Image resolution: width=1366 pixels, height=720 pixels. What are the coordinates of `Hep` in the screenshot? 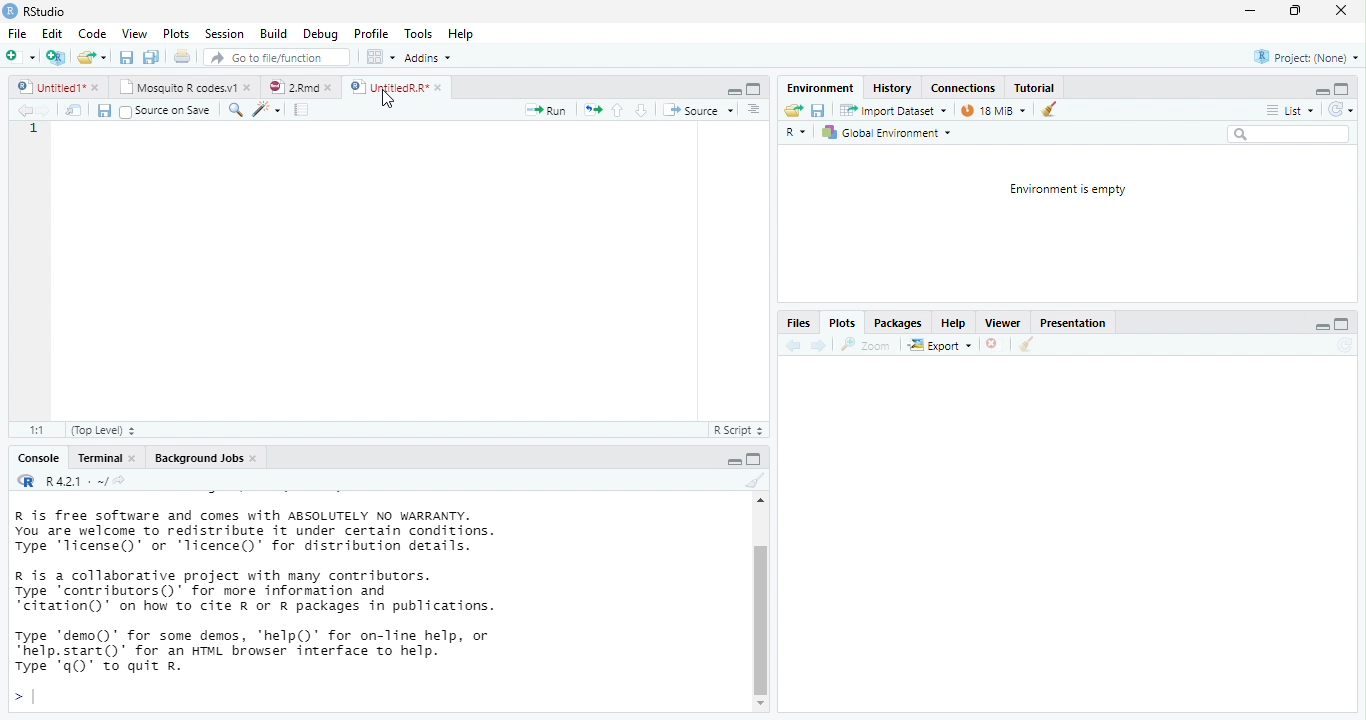 It's located at (460, 34).